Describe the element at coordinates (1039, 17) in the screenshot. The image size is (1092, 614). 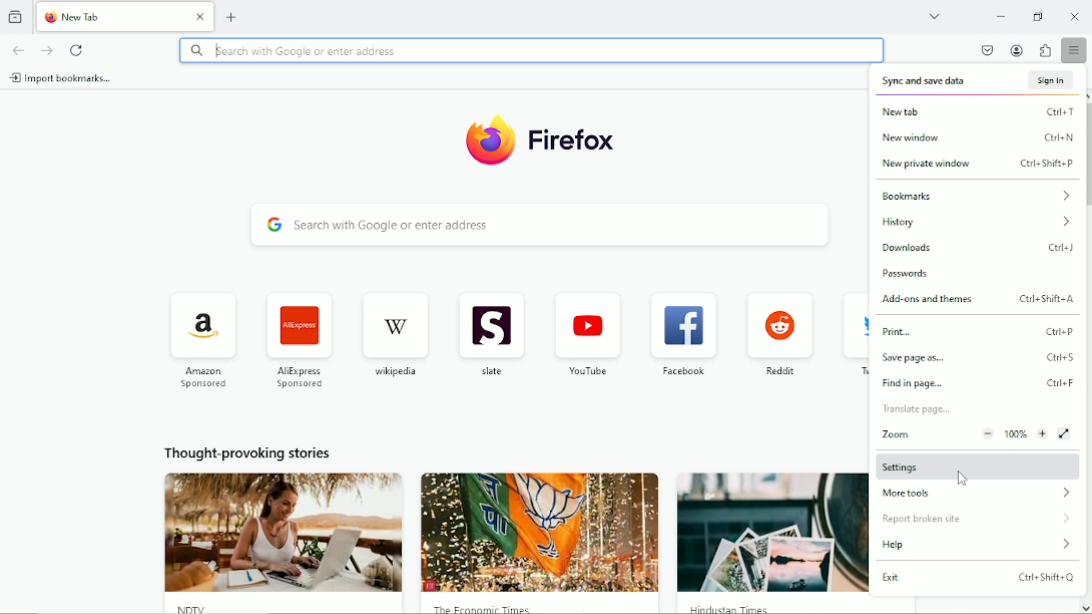
I see `restore down` at that location.